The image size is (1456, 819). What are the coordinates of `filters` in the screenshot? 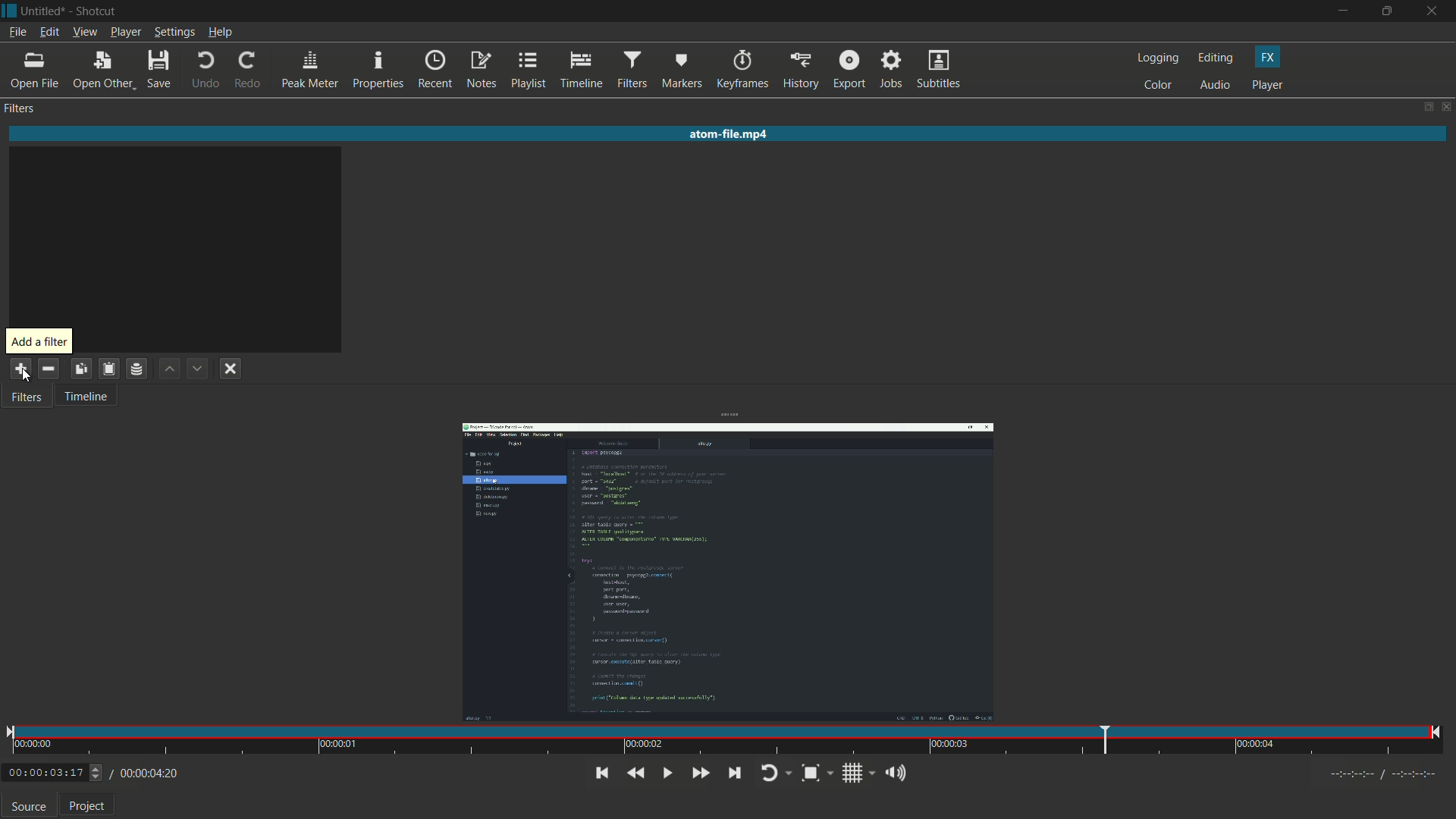 It's located at (633, 70).